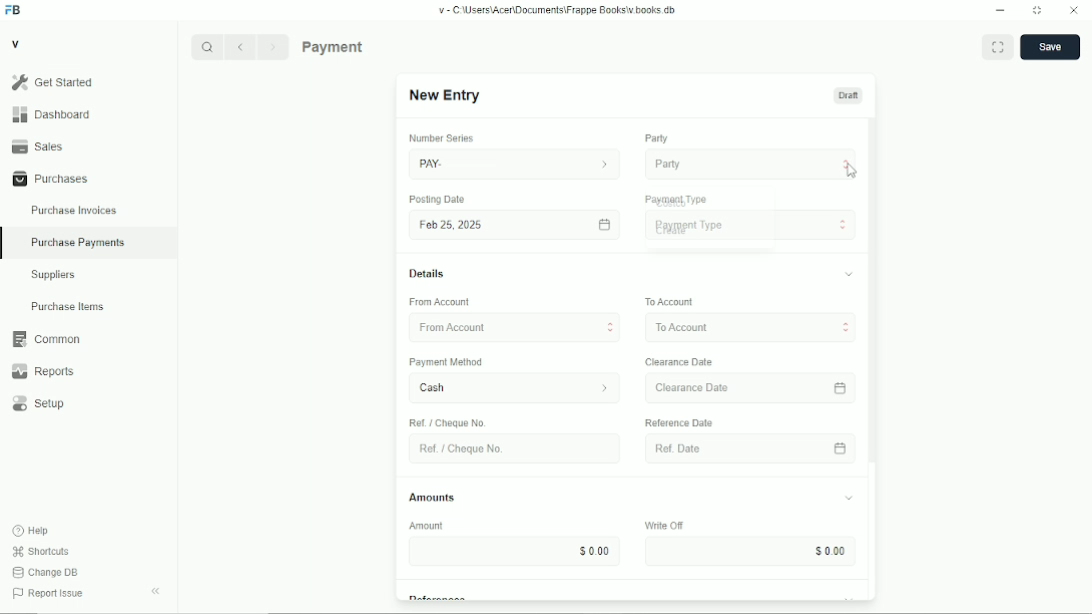  What do you see at coordinates (88, 146) in the screenshot?
I see `Sales` at bounding box center [88, 146].